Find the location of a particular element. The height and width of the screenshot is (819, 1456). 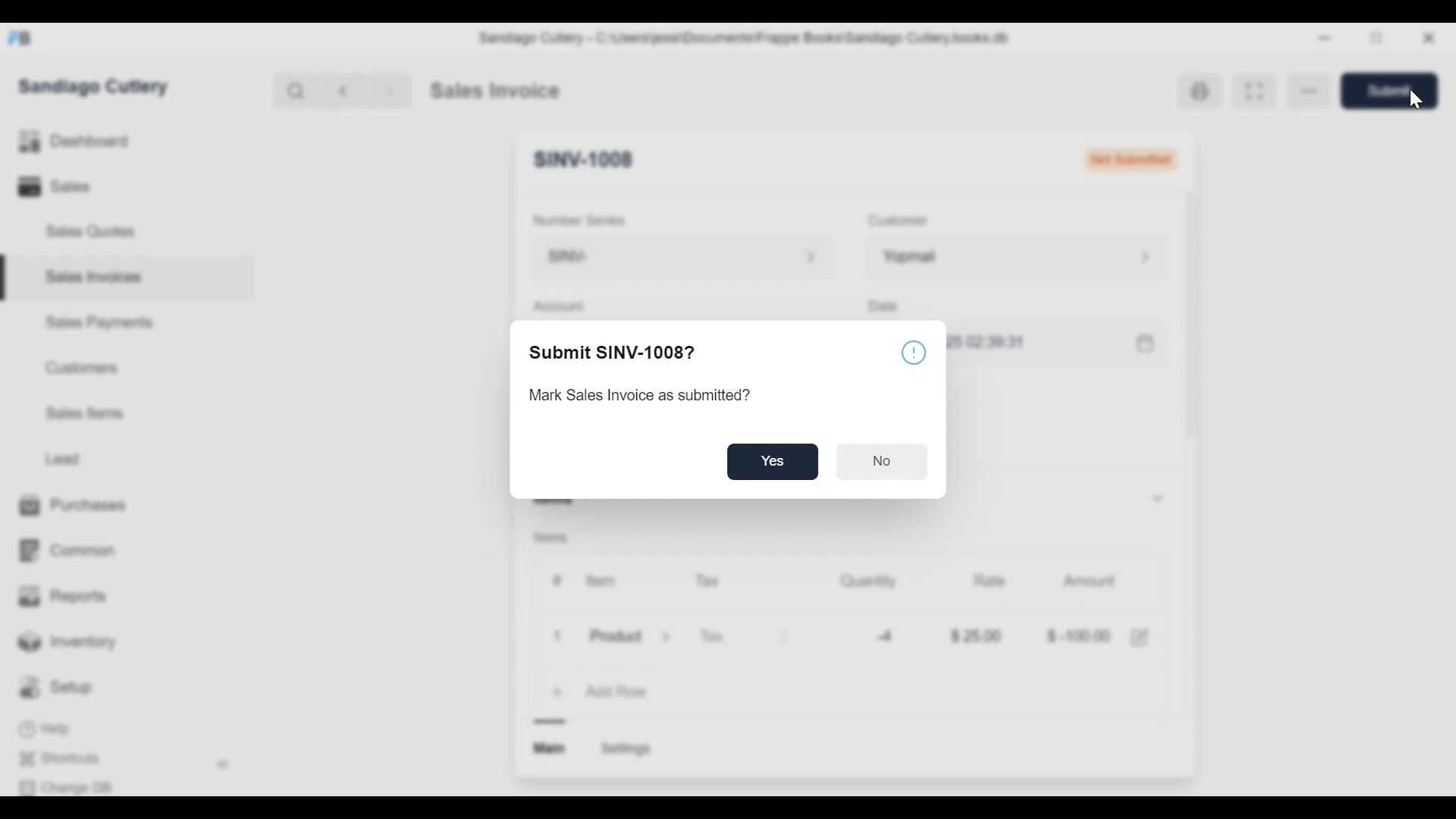

Yes is located at coordinates (773, 461).